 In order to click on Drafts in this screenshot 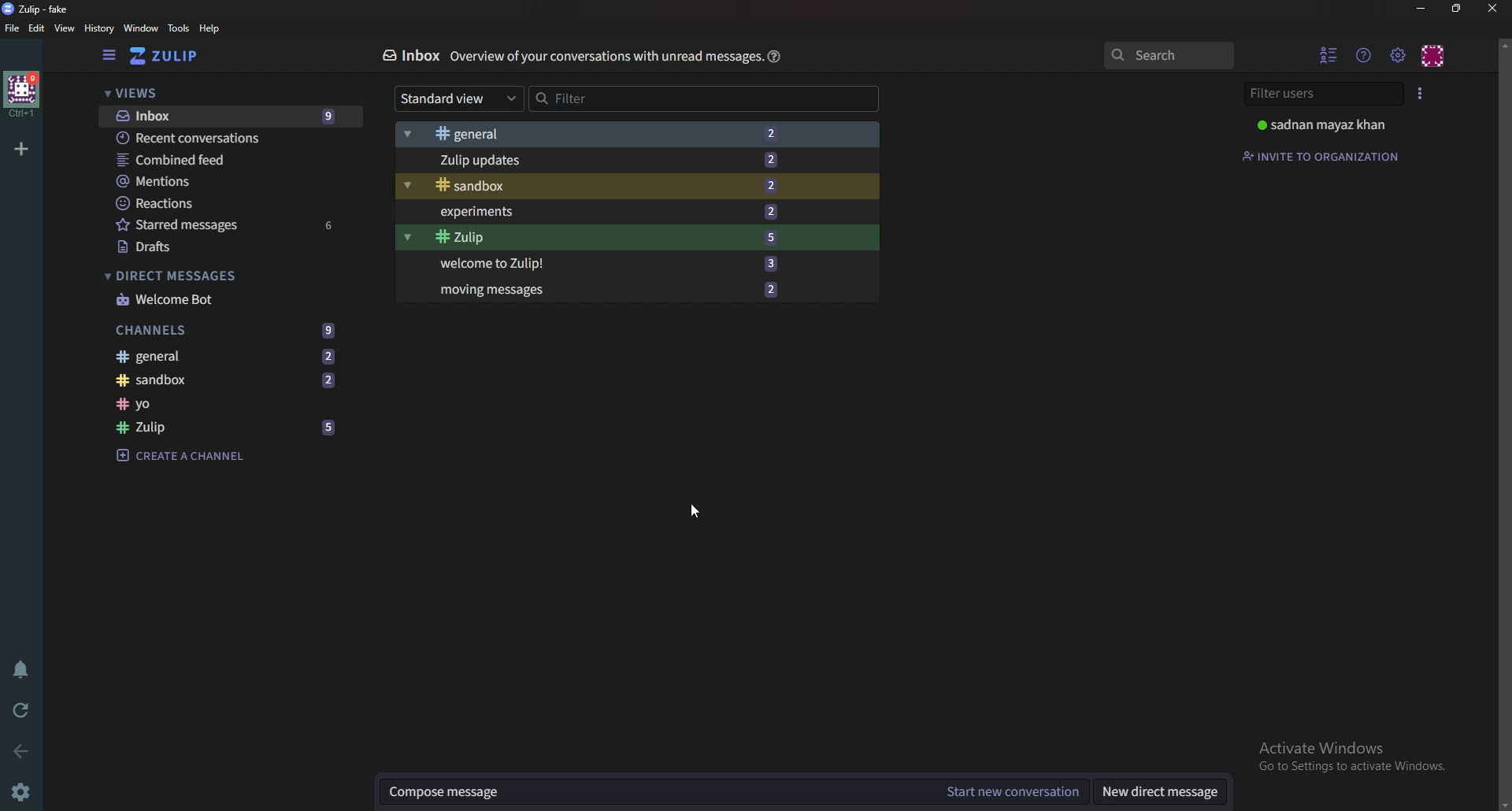, I will do `click(226, 247)`.